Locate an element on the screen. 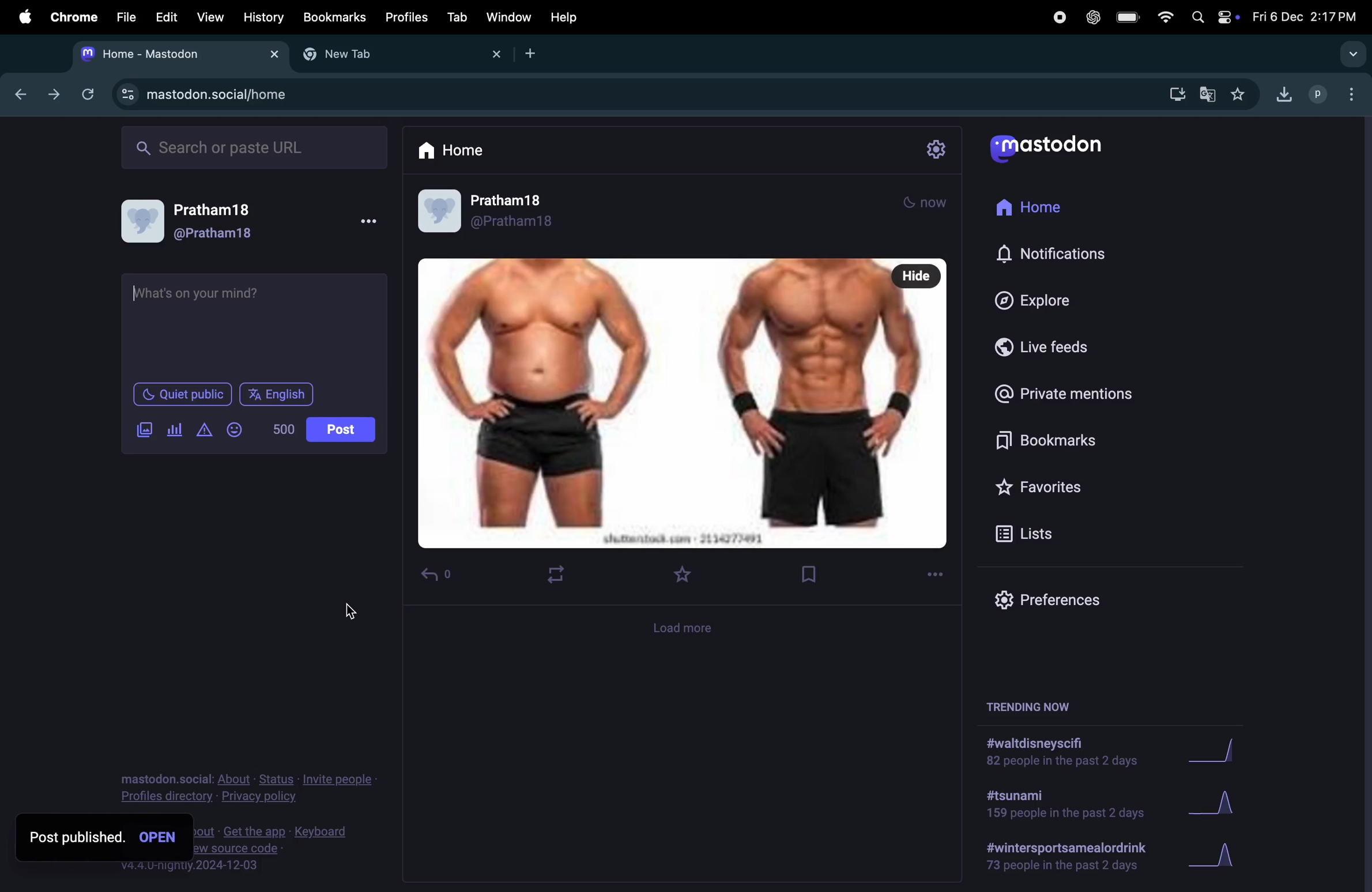 Image resolution: width=1372 pixels, height=892 pixels. history is located at coordinates (262, 17).